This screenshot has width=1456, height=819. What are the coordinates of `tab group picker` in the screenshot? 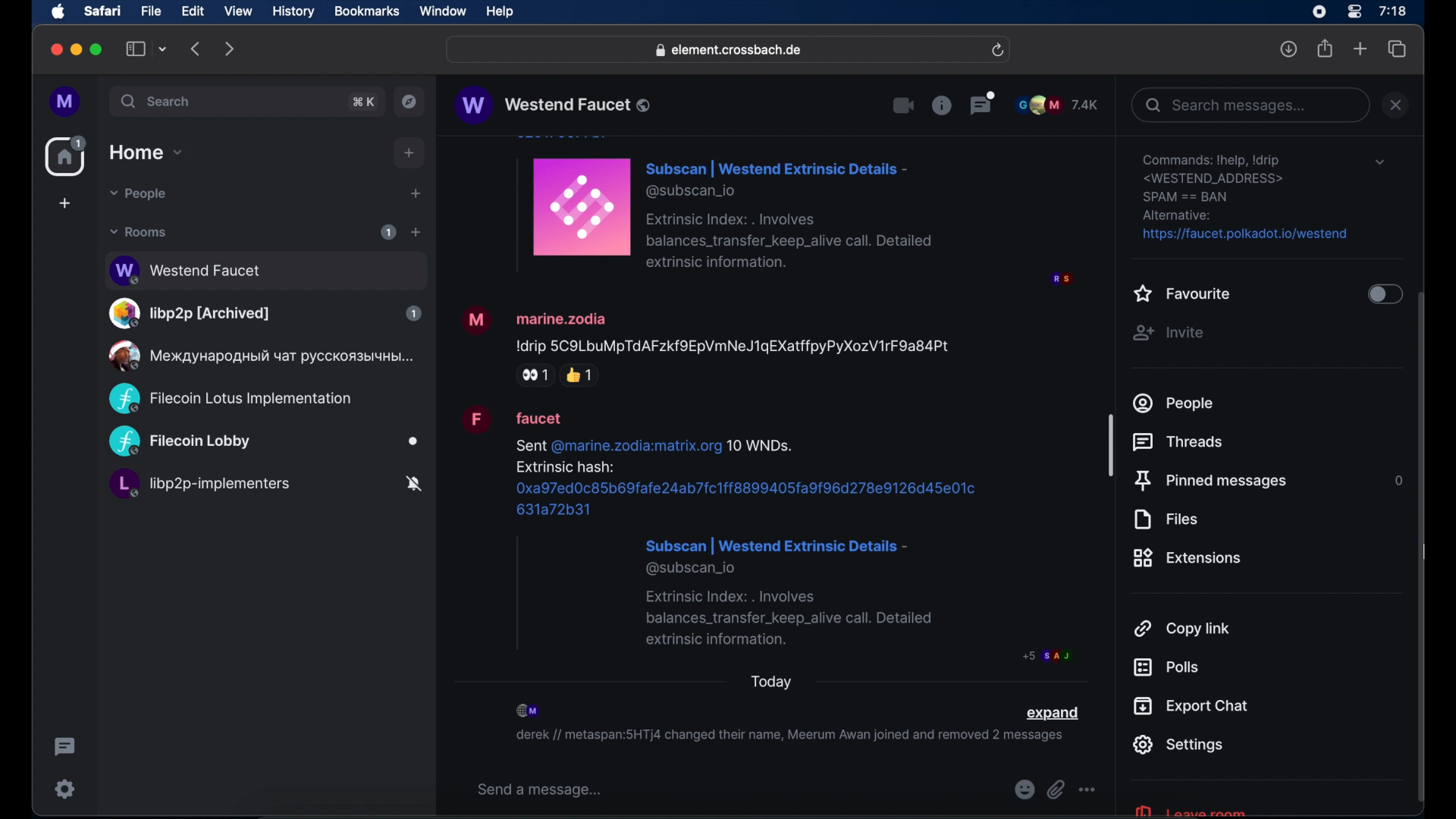 It's located at (163, 49).